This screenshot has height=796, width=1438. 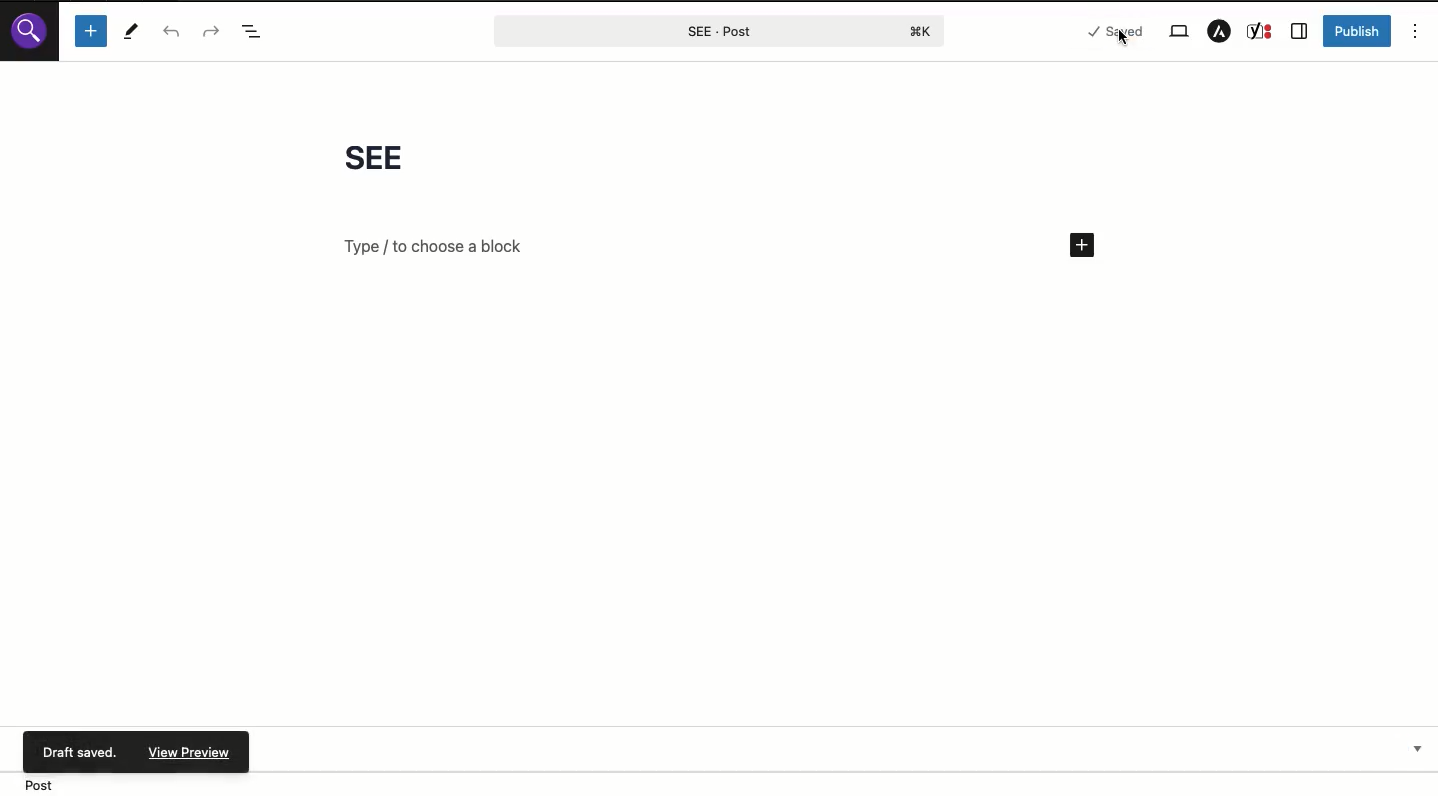 I want to click on View, so click(x=1182, y=31).